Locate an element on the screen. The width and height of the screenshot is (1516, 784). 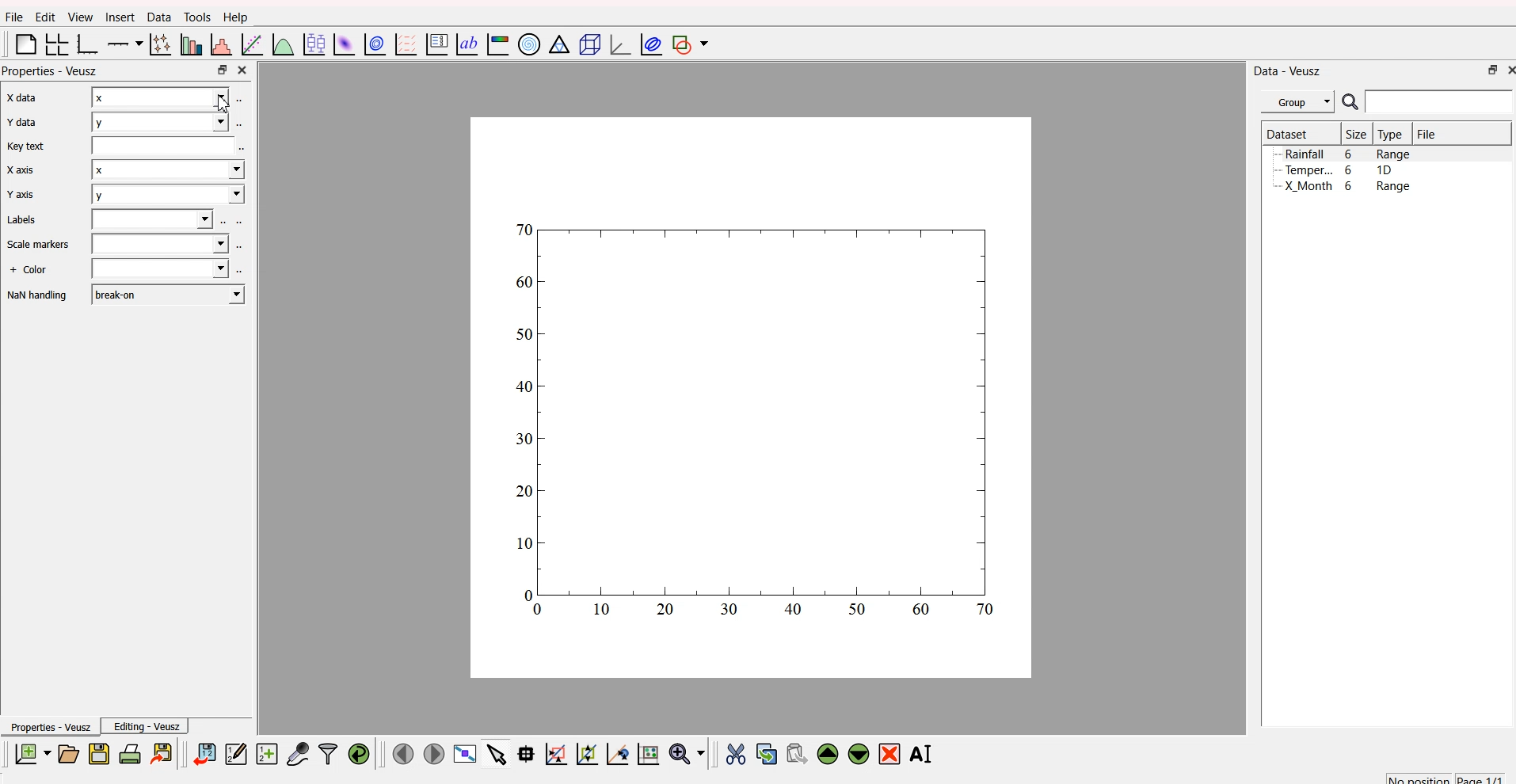
Properties - Veusz is located at coordinates (49, 726).